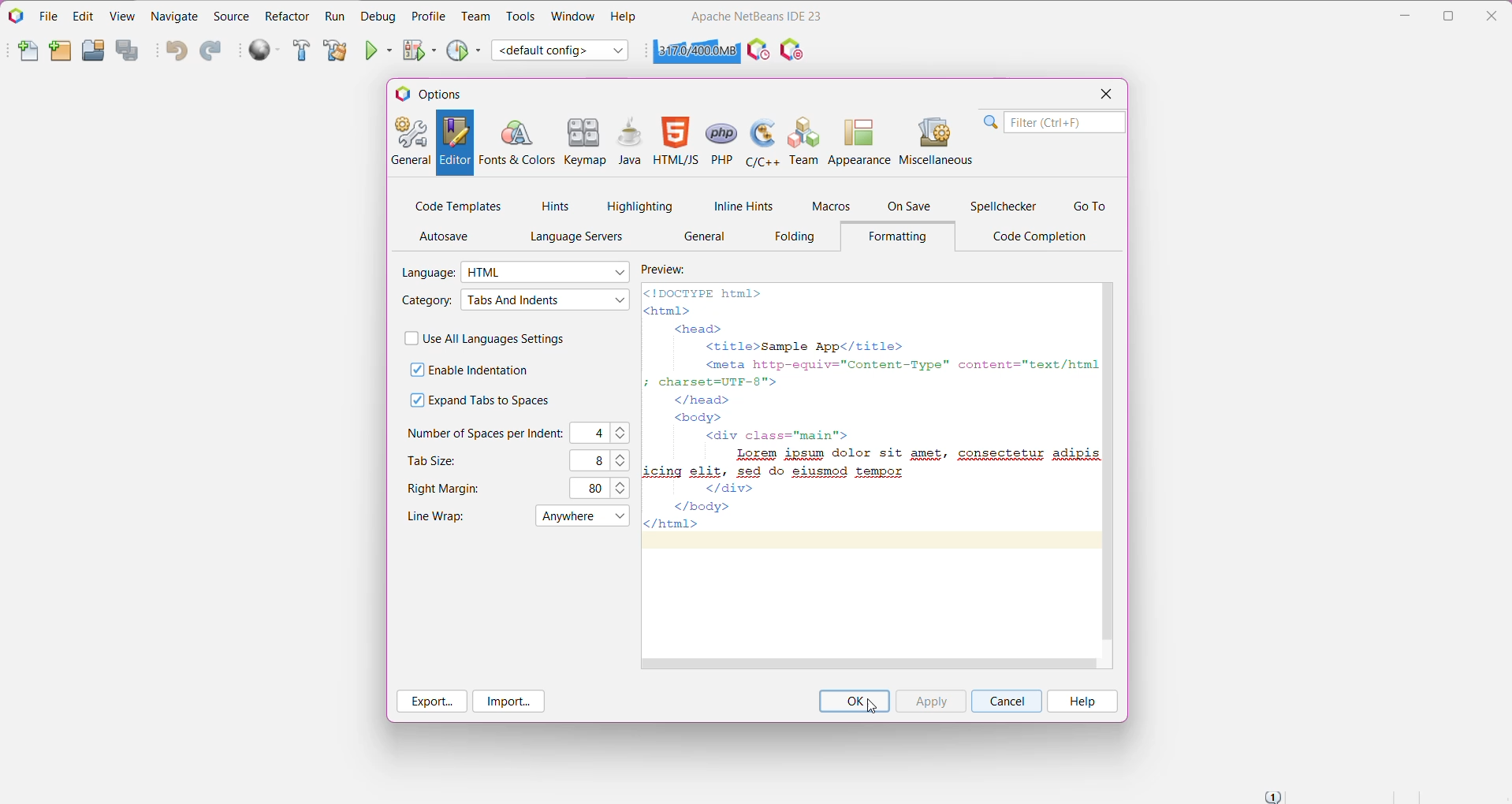 Image resolution: width=1512 pixels, height=804 pixels. Describe the element at coordinates (586, 143) in the screenshot. I see `Keymap` at that location.